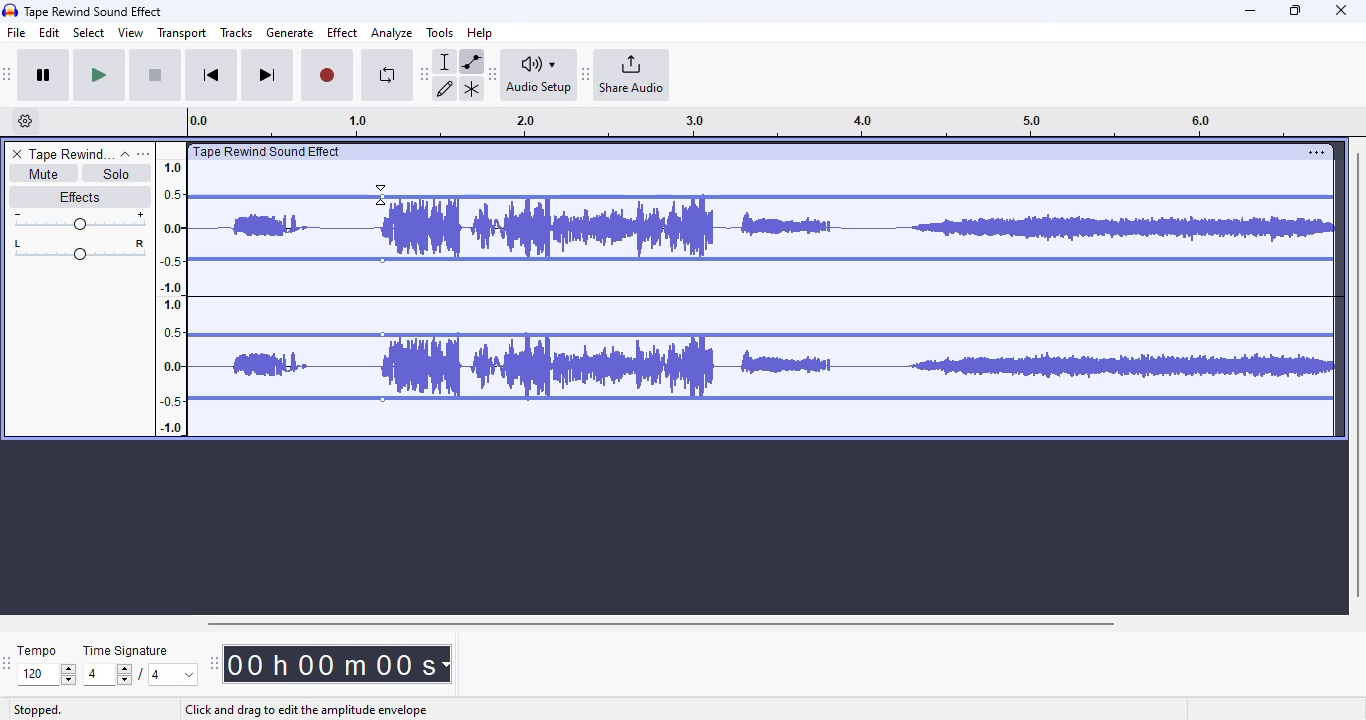  I want to click on solo, so click(117, 173).